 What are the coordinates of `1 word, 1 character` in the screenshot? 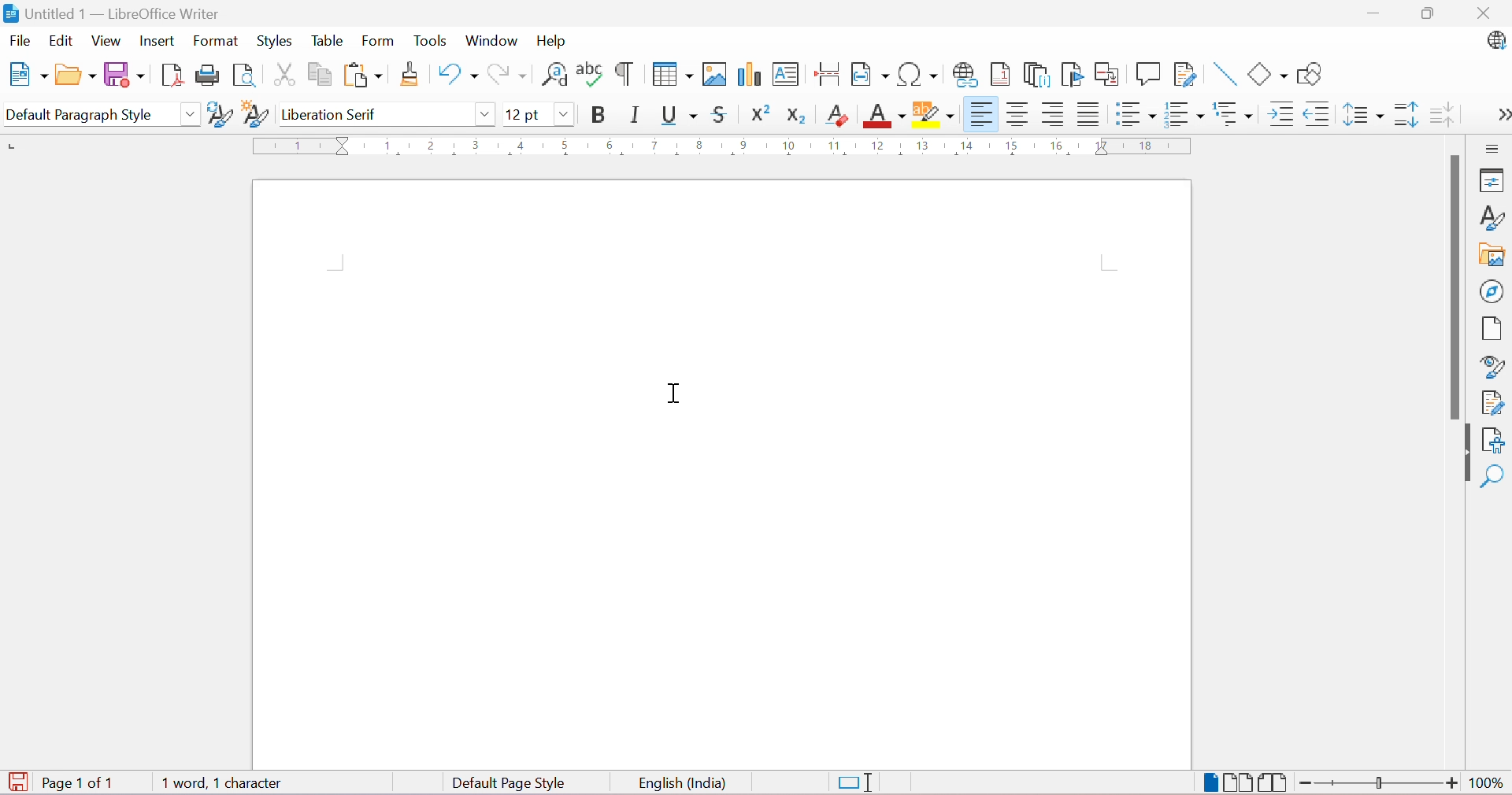 It's located at (221, 785).